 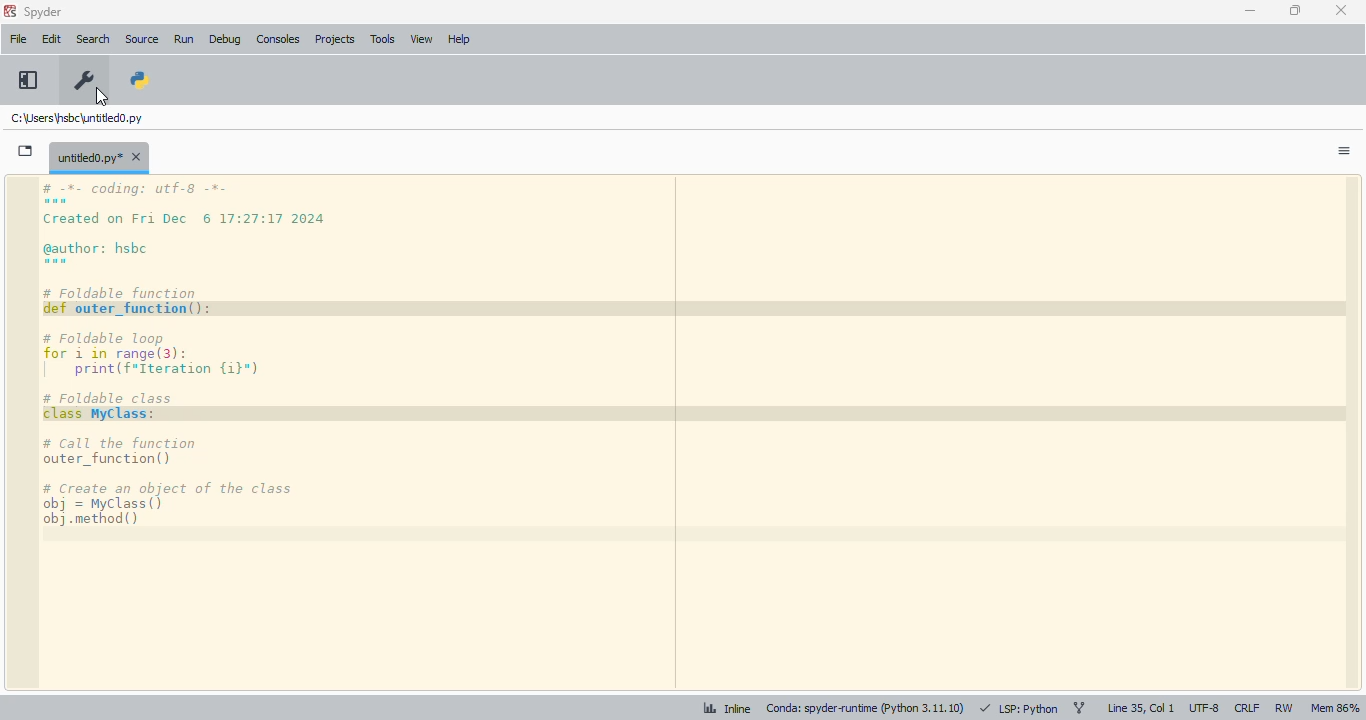 What do you see at coordinates (85, 80) in the screenshot?
I see `preferences` at bounding box center [85, 80].